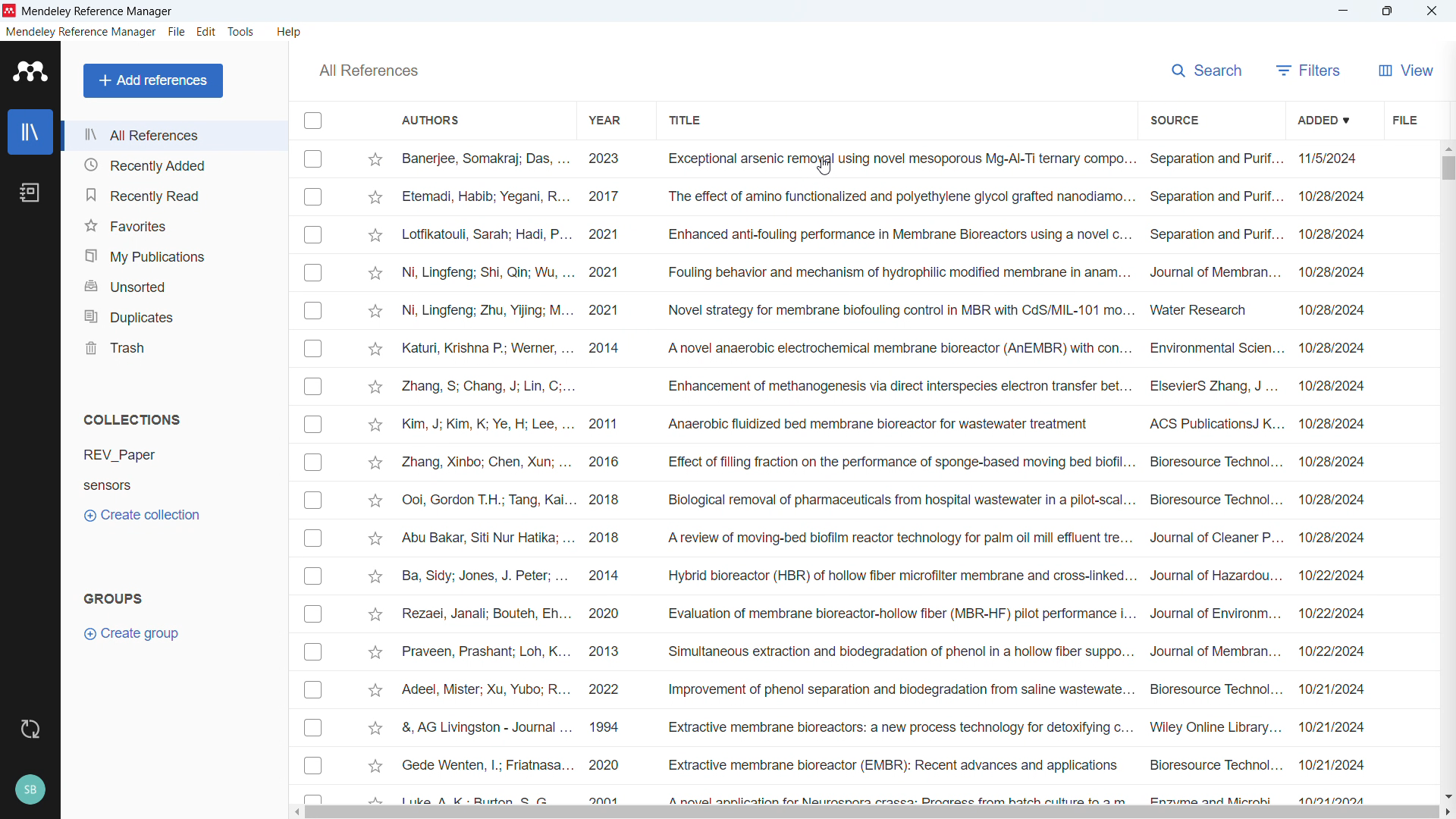 This screenshot has width=1456, height=819. Describe the element at coordinates (1408, 71) in the screenshot. I see `View ` at that location.